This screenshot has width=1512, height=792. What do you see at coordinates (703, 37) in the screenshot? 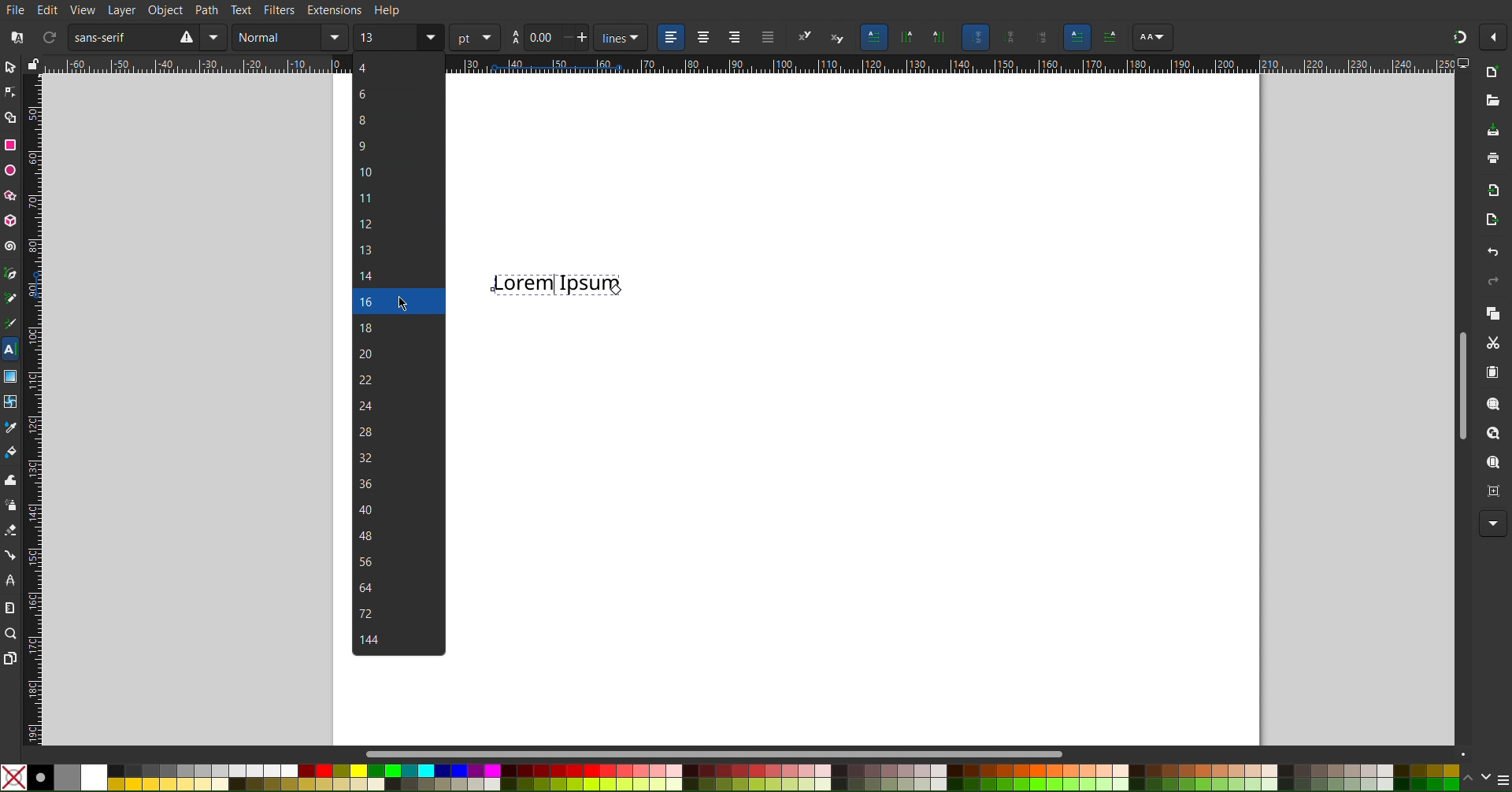
I see `center align` at bounding box center [703, 37].